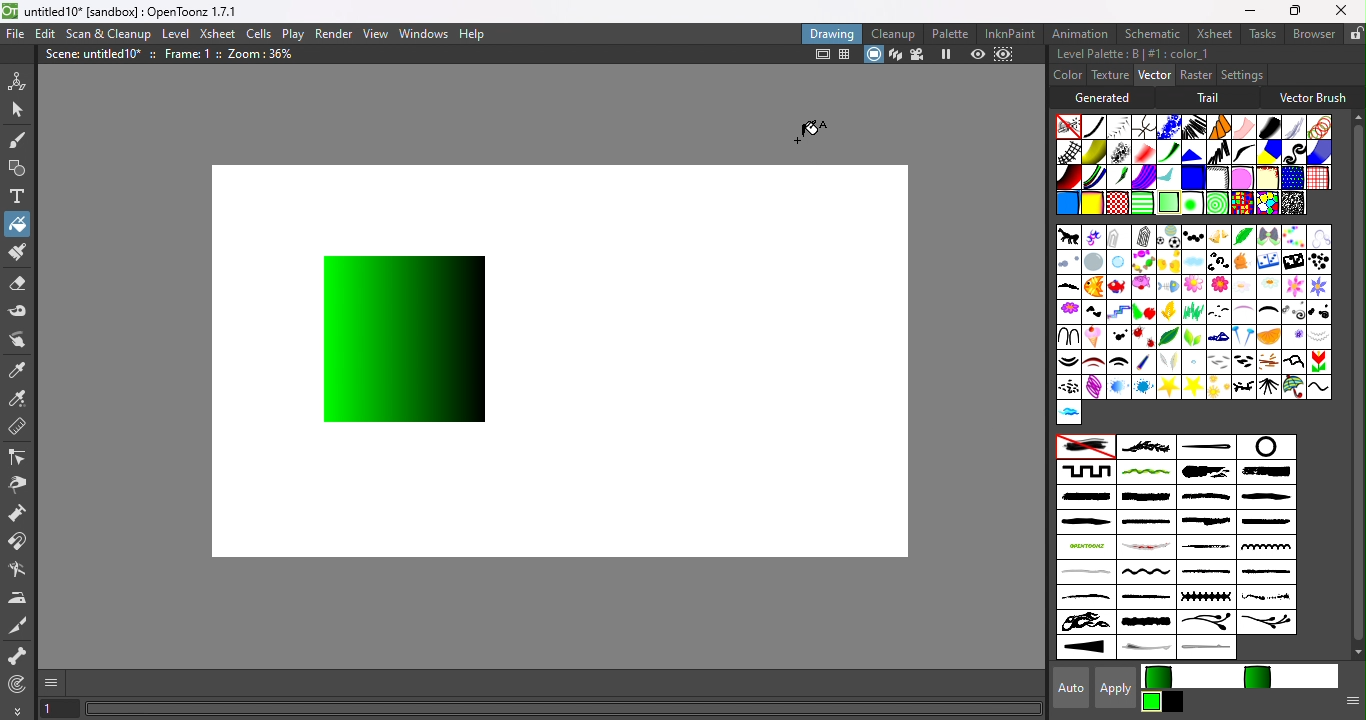 This screenshot has width=1366, height=720. Describe the element at coordinates (1142, 311) in the screenshot. I see `fruit` at that location.